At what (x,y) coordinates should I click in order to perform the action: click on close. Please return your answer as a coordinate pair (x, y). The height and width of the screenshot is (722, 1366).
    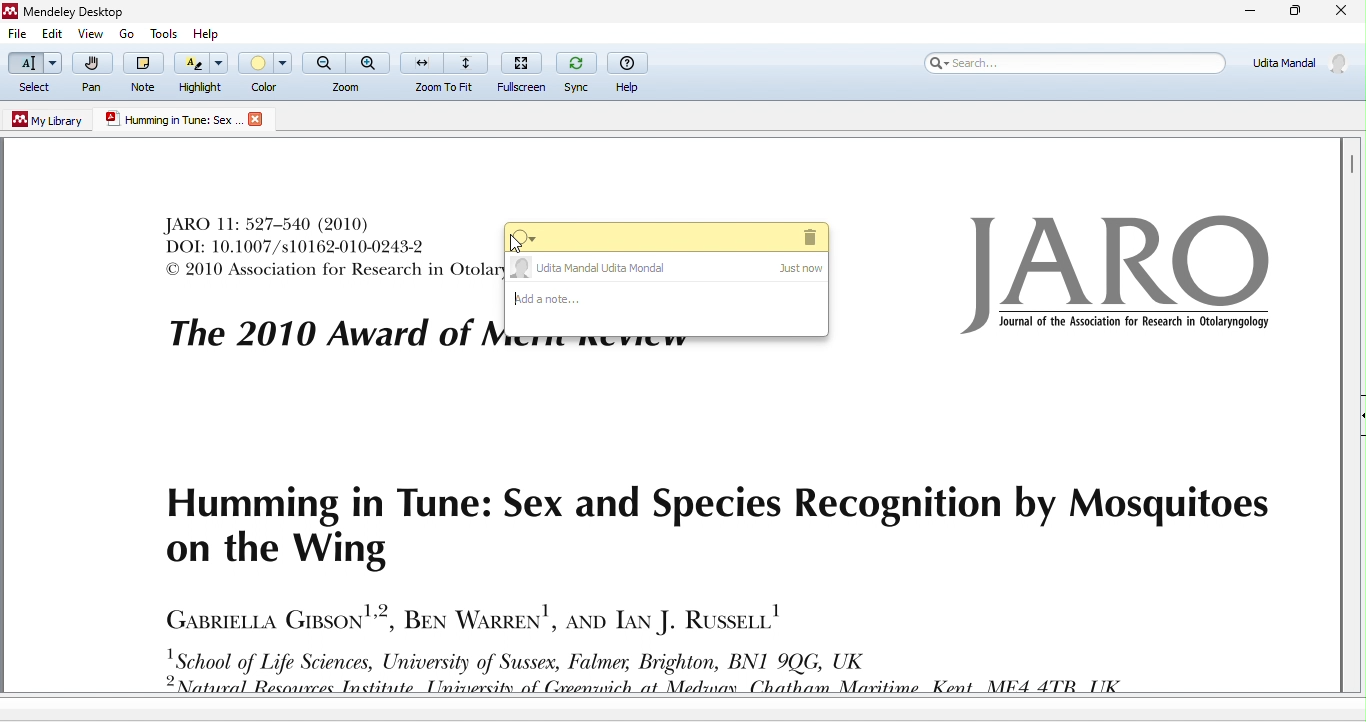
    Looking at the image, I should click on (1340, 12).